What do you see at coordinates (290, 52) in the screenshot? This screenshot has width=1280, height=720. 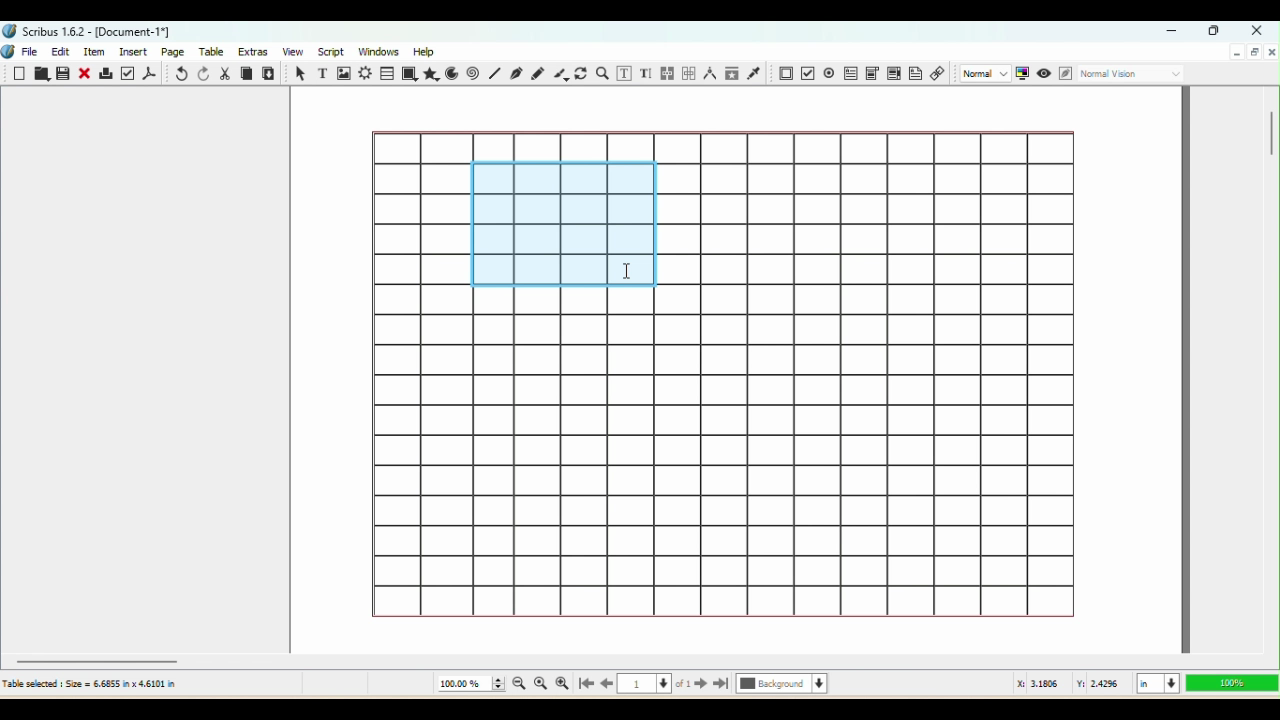 I see `View` at bounding box center [290, 52].